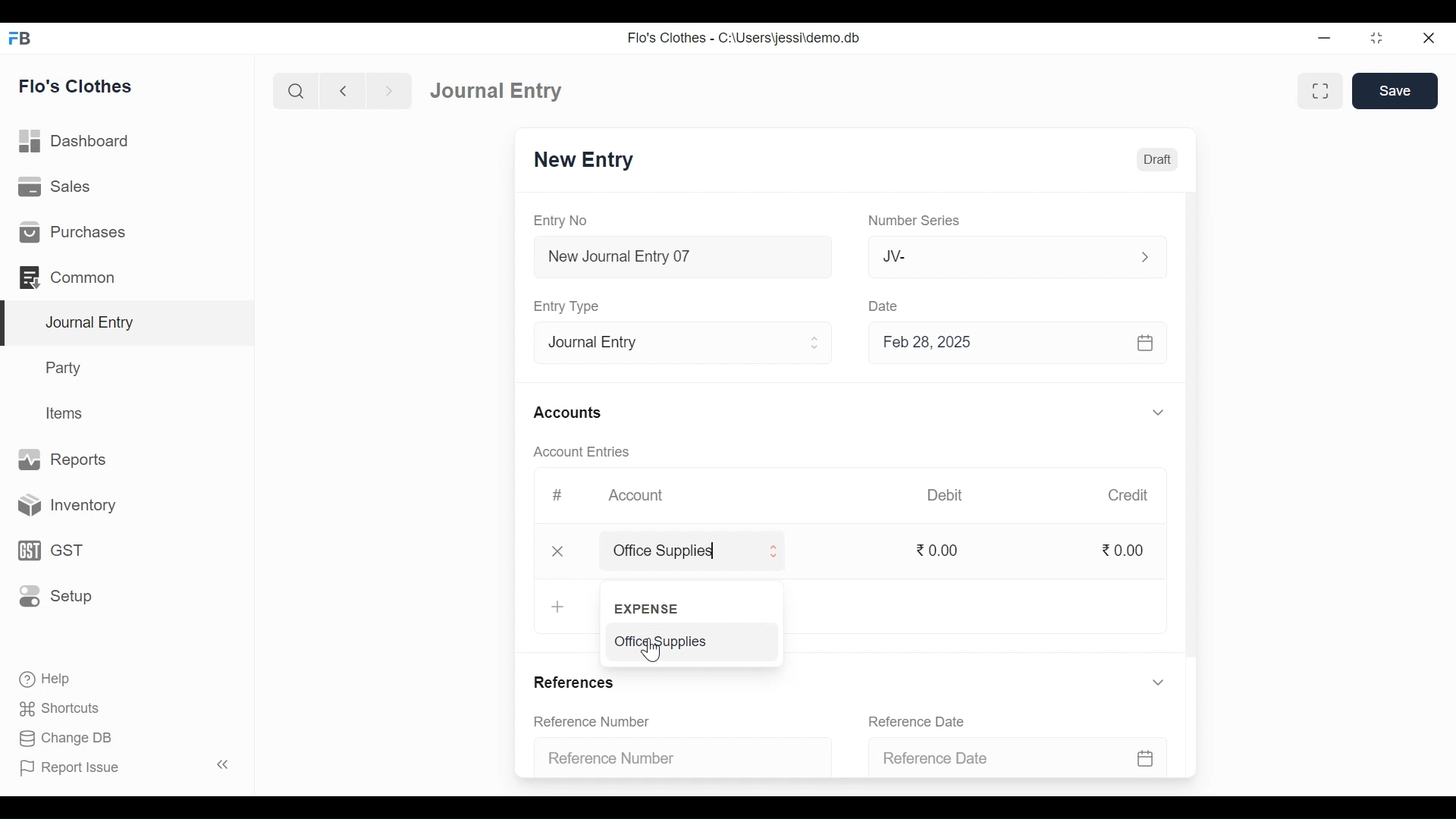  I want to click on Restore, so click(1376, 38).